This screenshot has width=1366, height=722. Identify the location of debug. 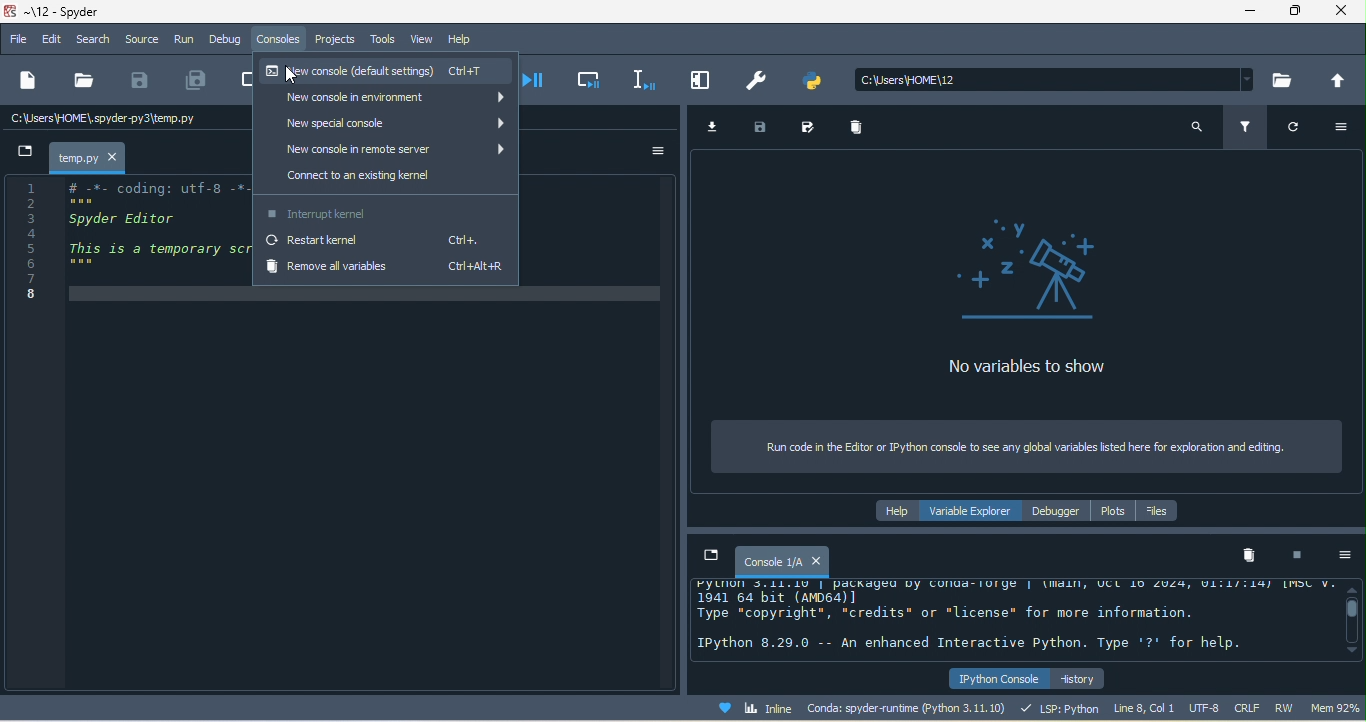
(228, 41).